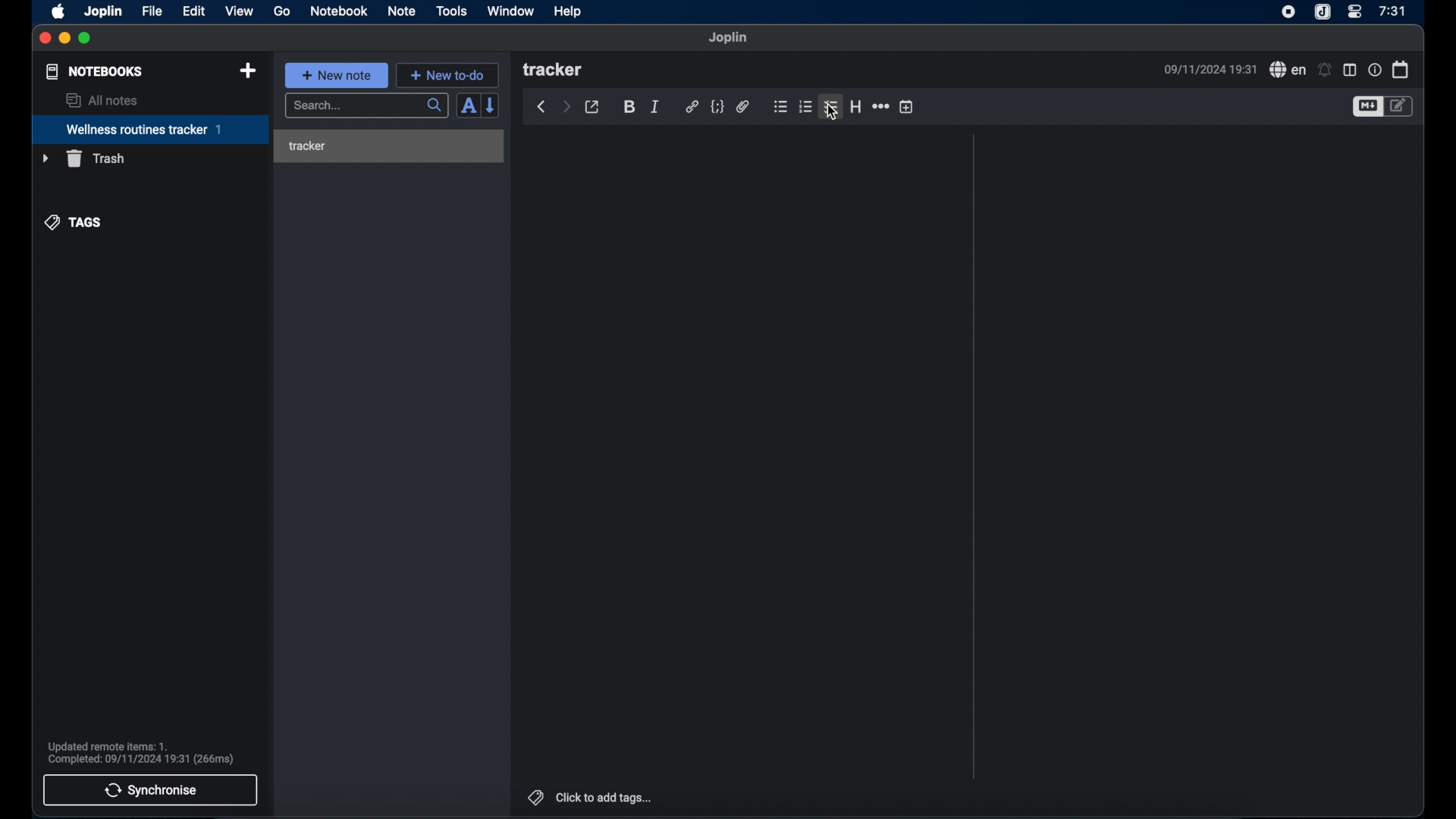 The image size is (1456, 819). Describe the element at coordinates (1285, 69) in the screenshot. I see `spell check` at that location.